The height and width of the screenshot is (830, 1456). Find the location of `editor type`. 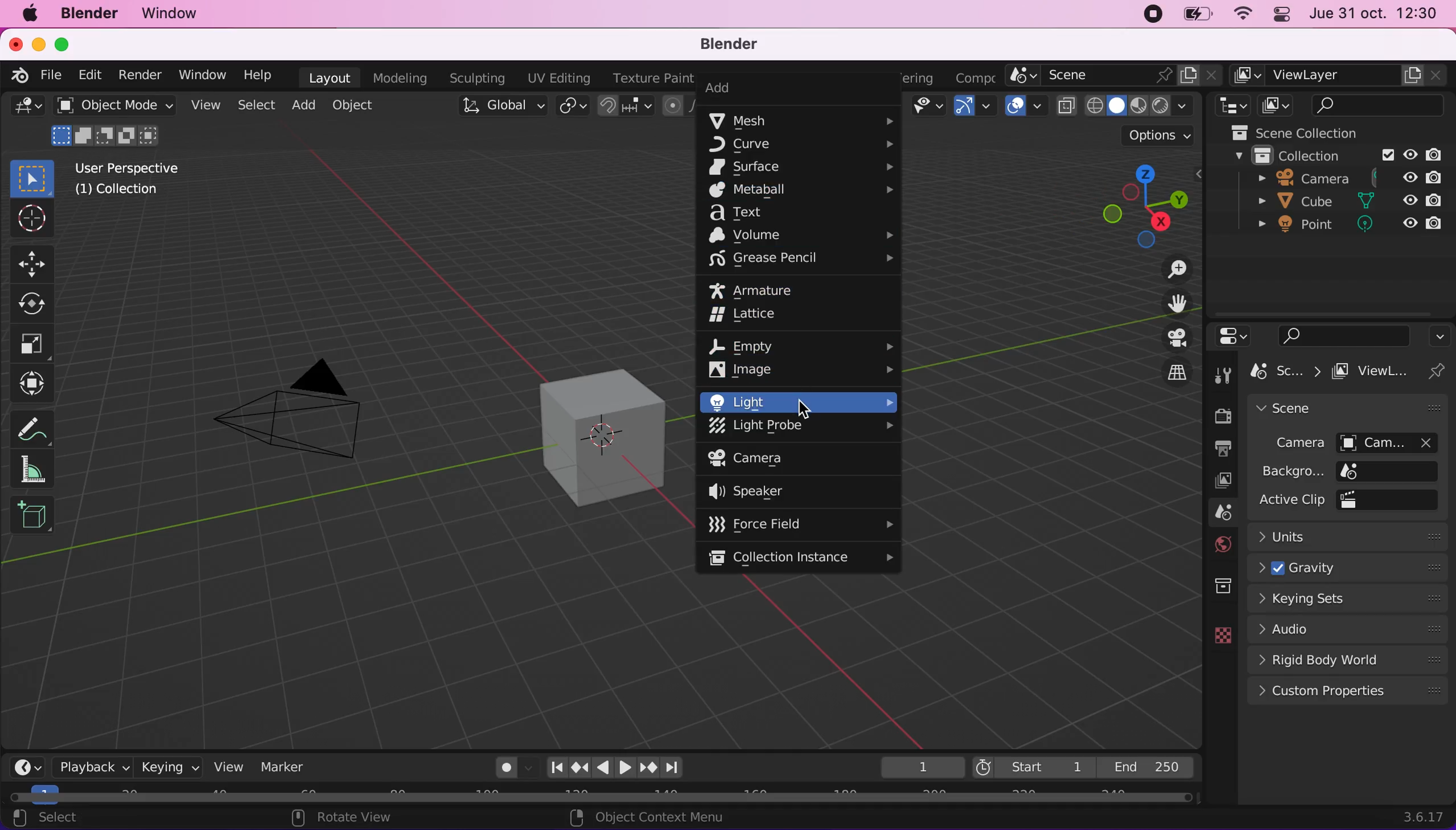

editor type is located at coordinates (1235, 334).